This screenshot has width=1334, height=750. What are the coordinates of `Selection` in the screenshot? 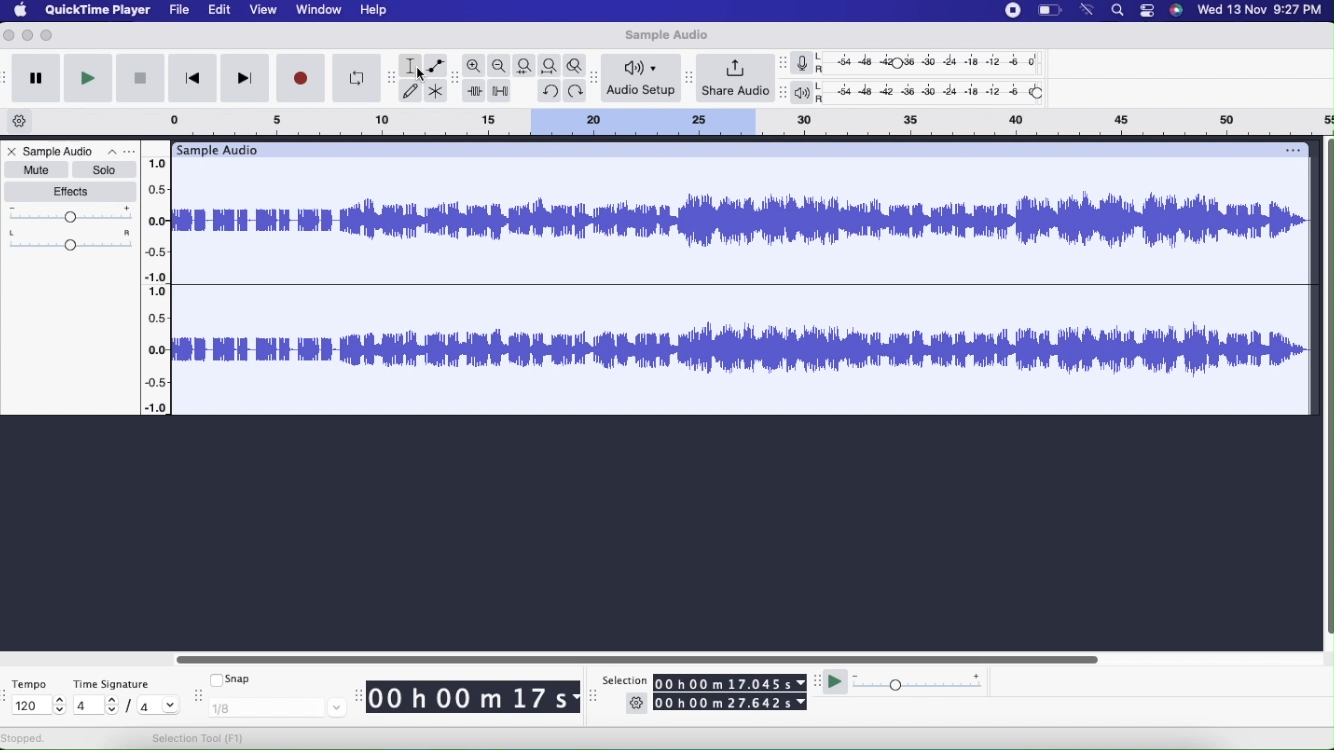 It's located at (624, 681).